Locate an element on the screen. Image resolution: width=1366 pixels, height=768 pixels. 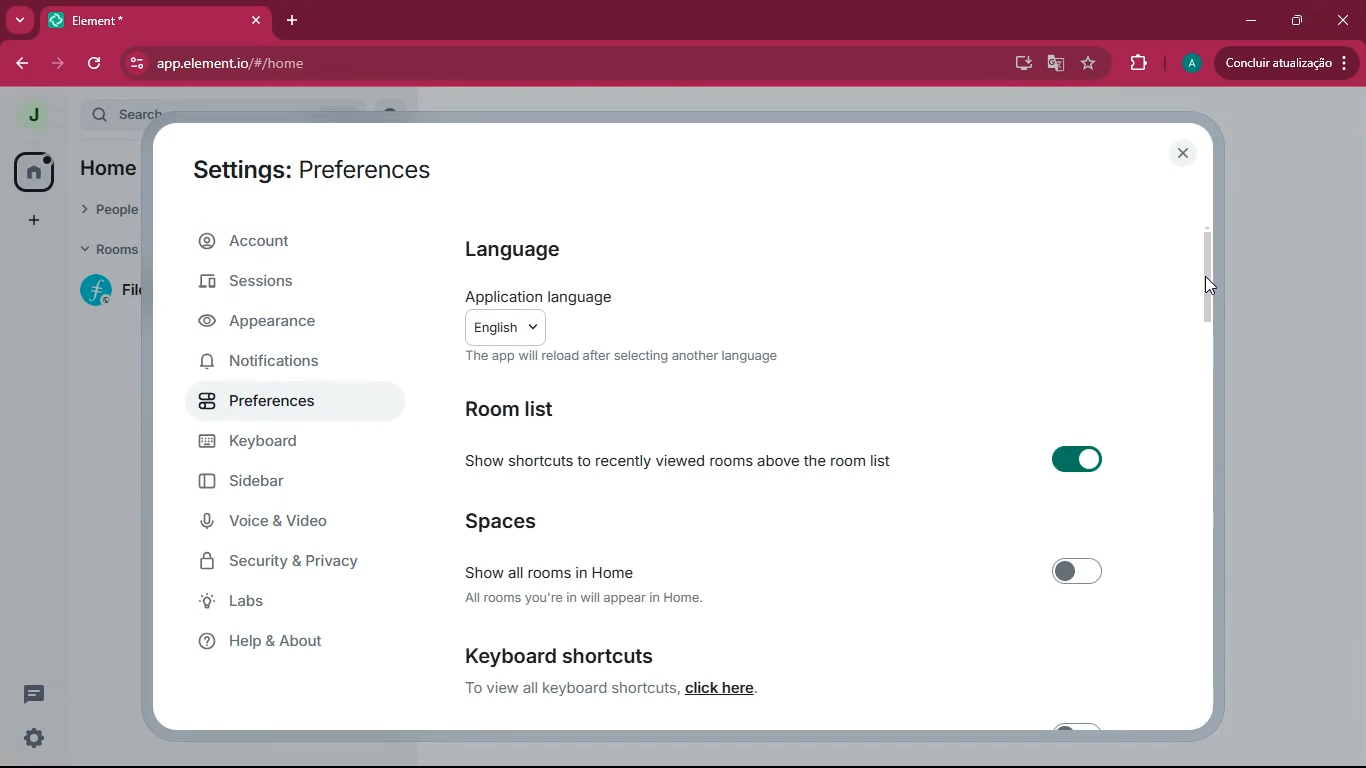
This is how you appear to others on the app. is located at coordinates (642, 359).